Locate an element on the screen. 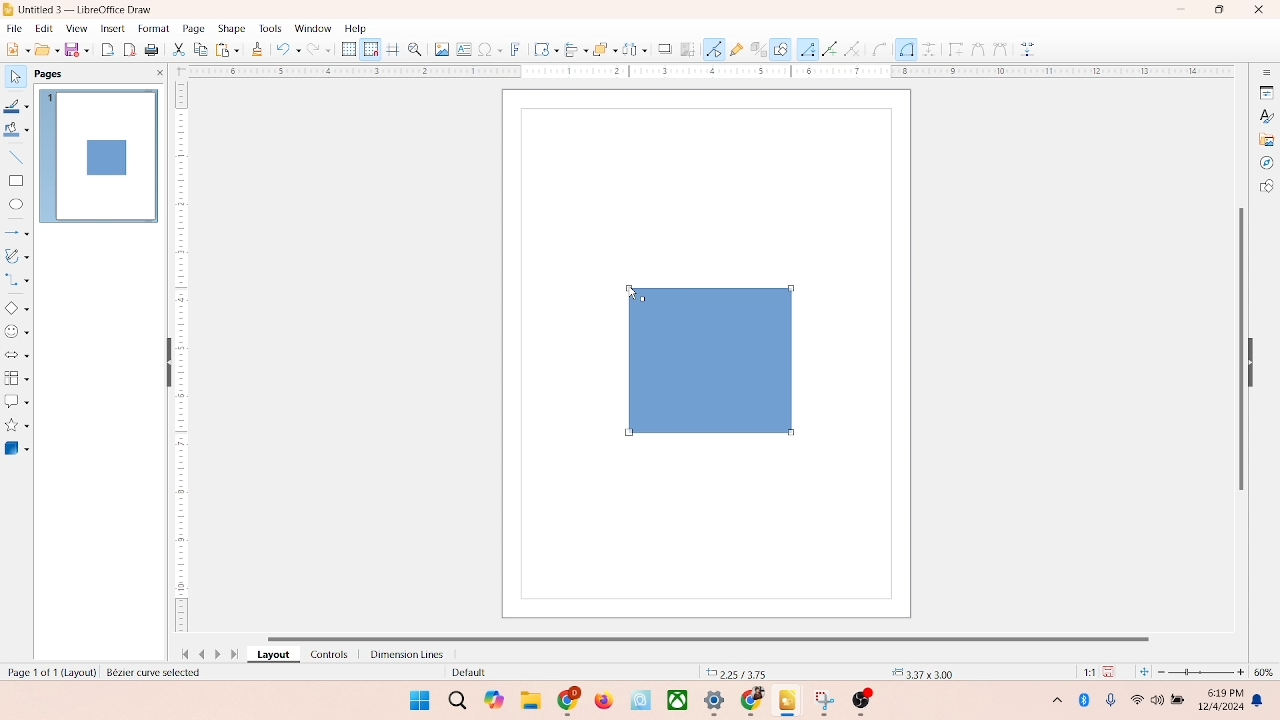  insert line is located at coordinates (16, 157).